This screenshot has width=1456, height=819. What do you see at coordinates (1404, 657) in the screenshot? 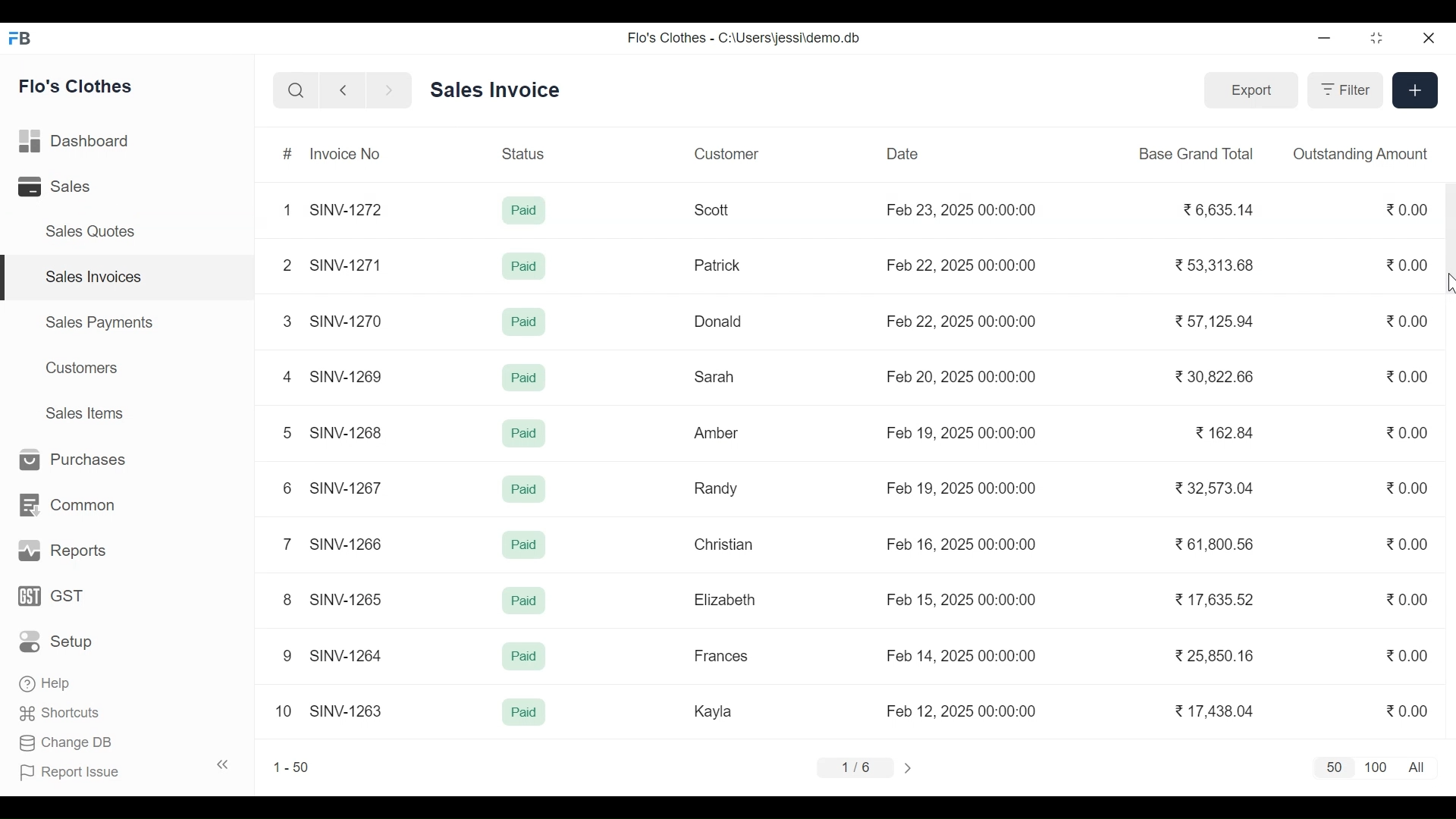
I see `0.00` at bounding box center [1404, 657].